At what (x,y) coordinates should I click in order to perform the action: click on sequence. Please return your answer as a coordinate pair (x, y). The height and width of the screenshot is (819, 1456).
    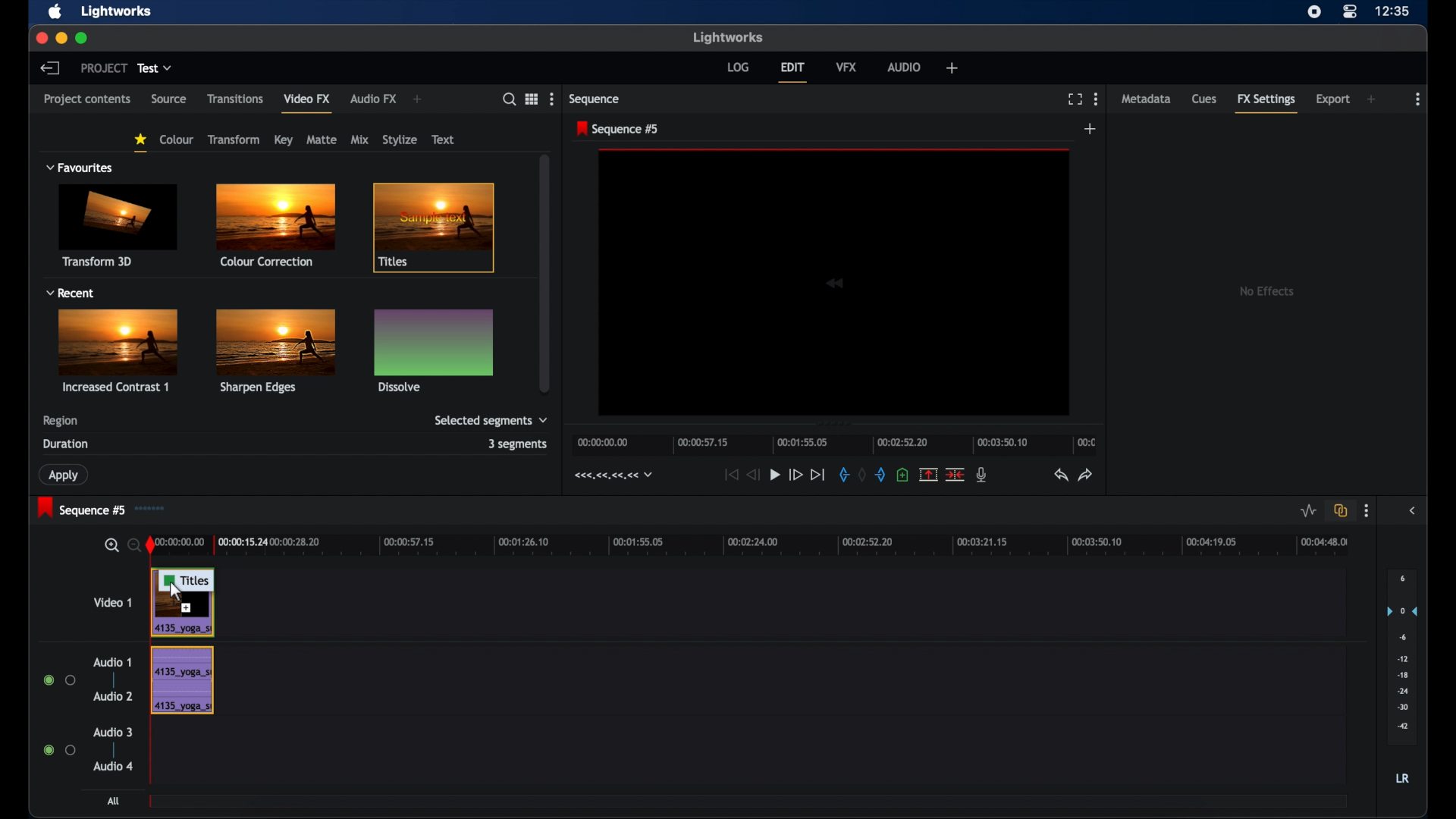
    Looking at the image, I should click on (595, 99).